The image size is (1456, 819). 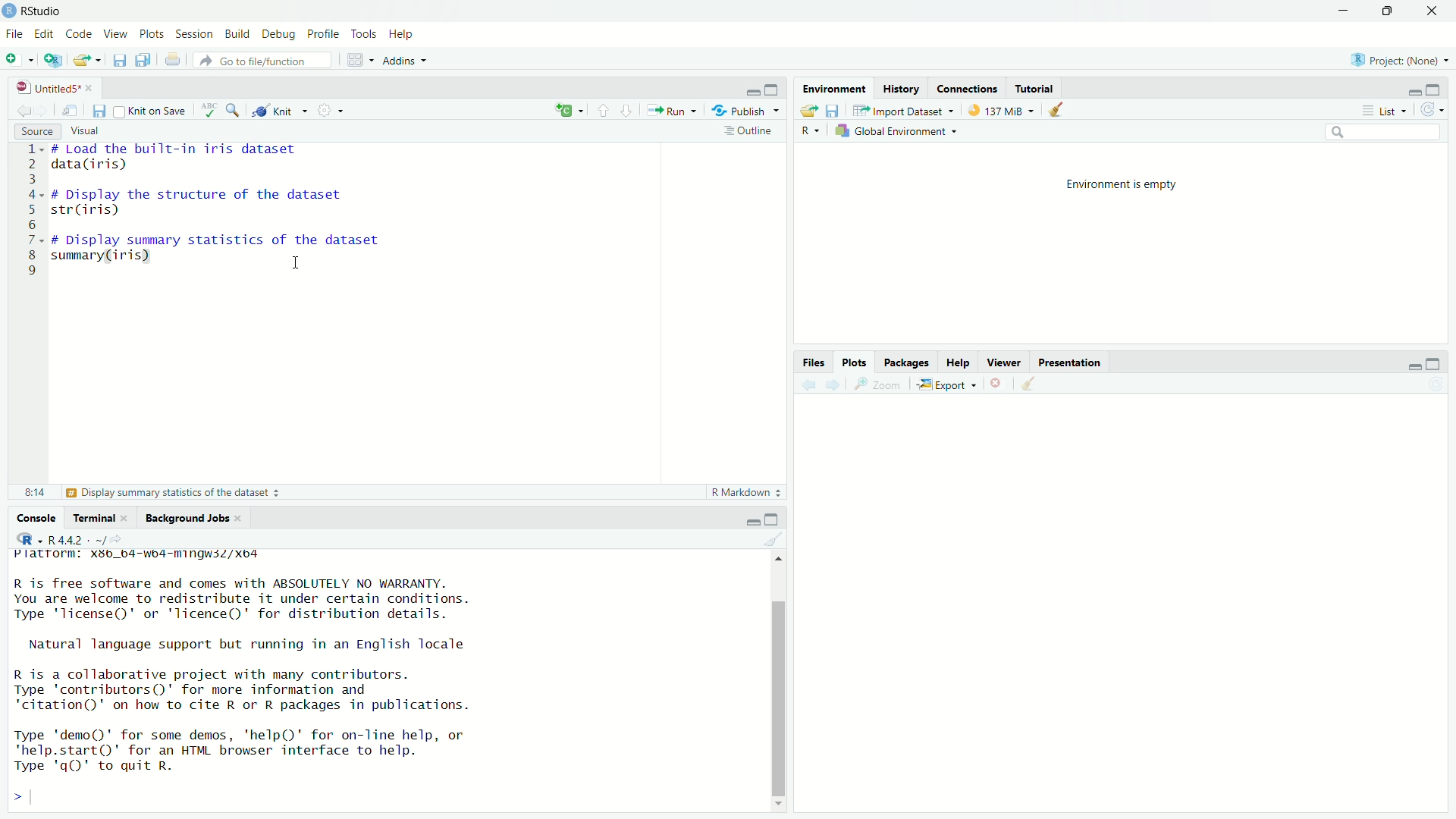 I want to click on Outline, so click(x=753, y=132).